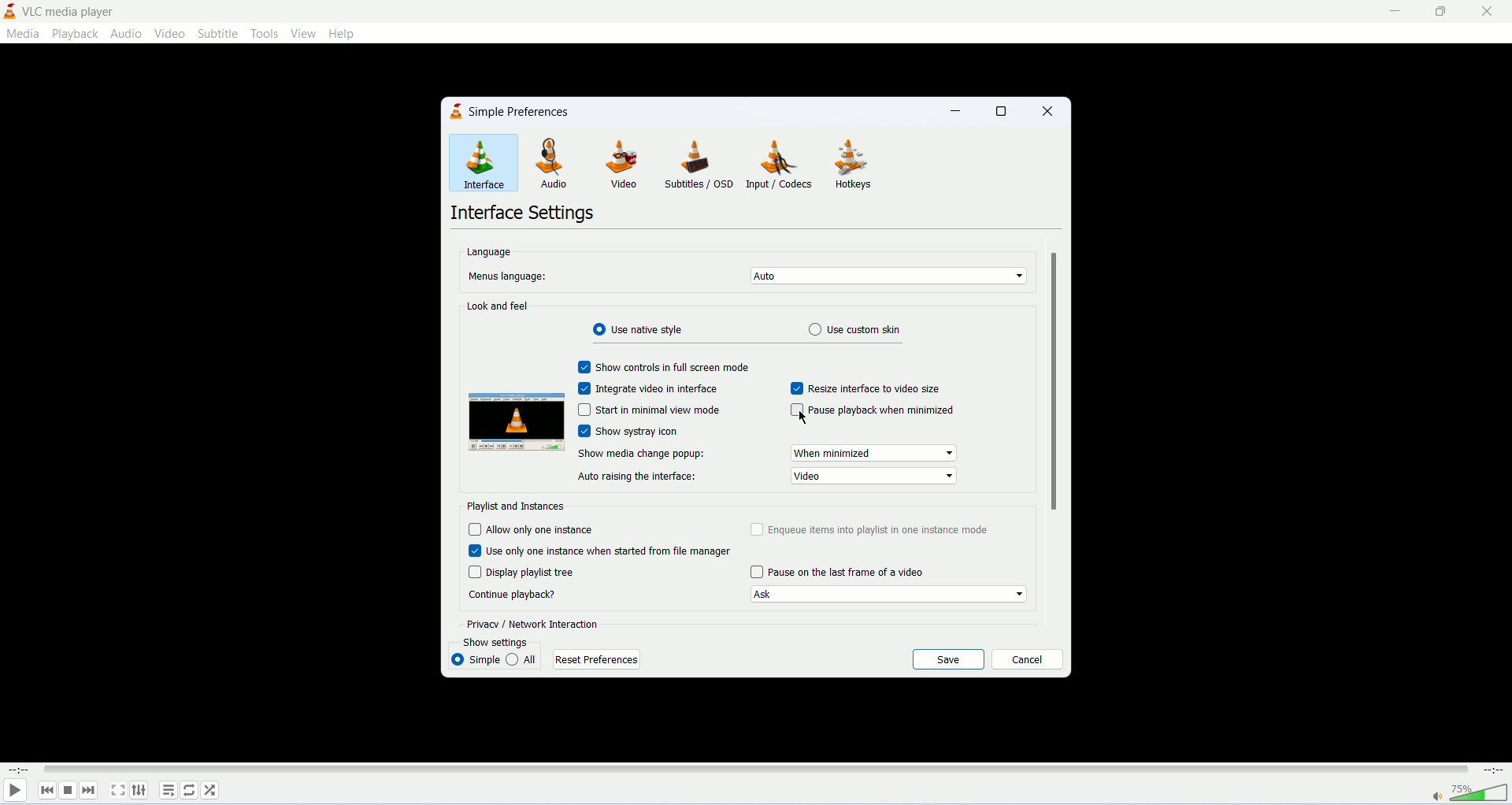 Image resolution: width=1512 pixels, height=805 pixels. I want to click on integrate video, so click(657, 391).